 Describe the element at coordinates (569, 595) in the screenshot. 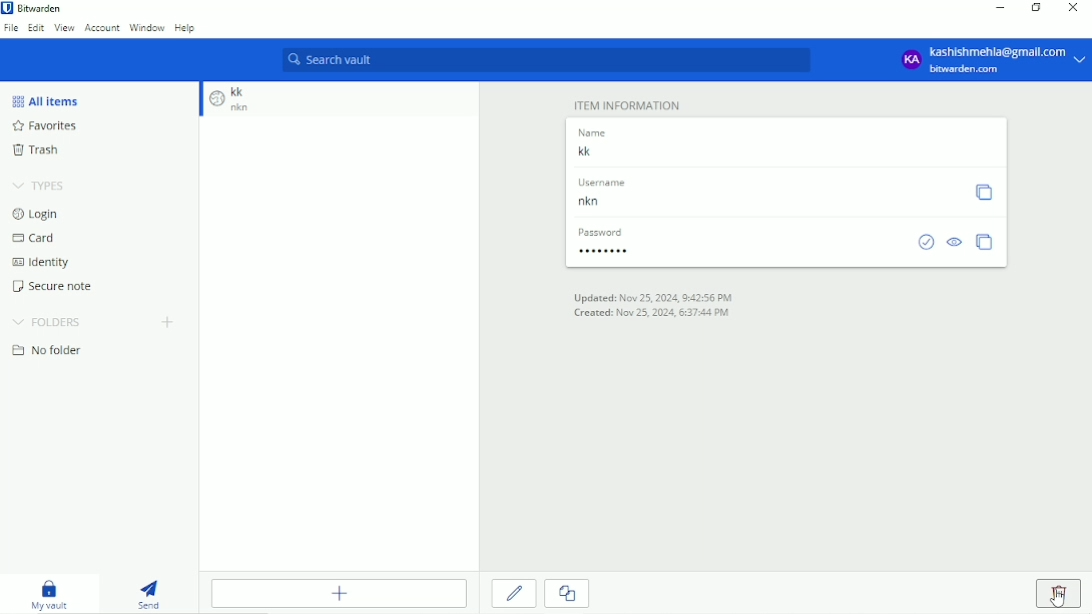

I see `Clone` at that location.